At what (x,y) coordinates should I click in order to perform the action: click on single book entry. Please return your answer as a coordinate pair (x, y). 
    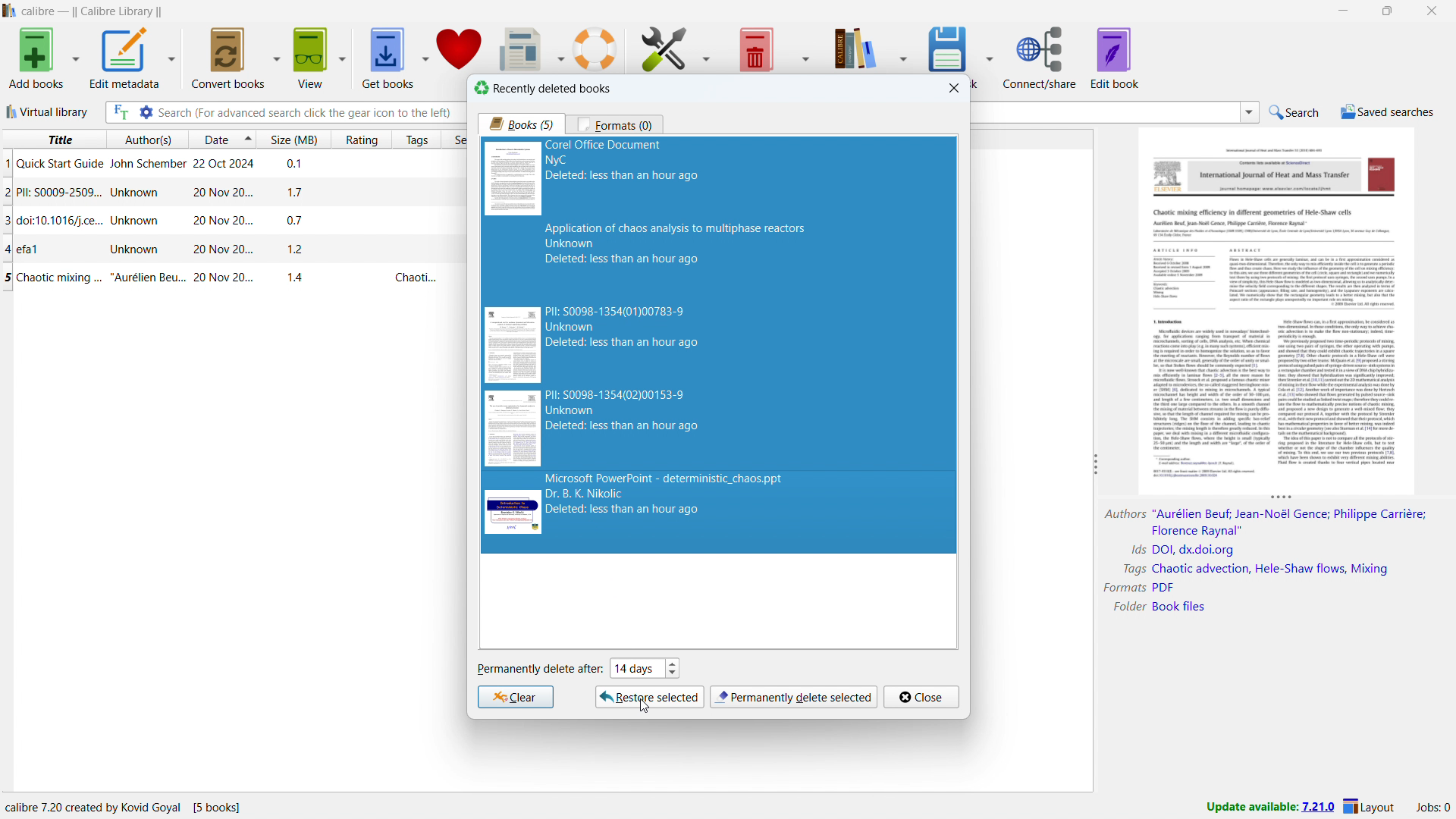
    Looking at the image, I should click on (225, 249).